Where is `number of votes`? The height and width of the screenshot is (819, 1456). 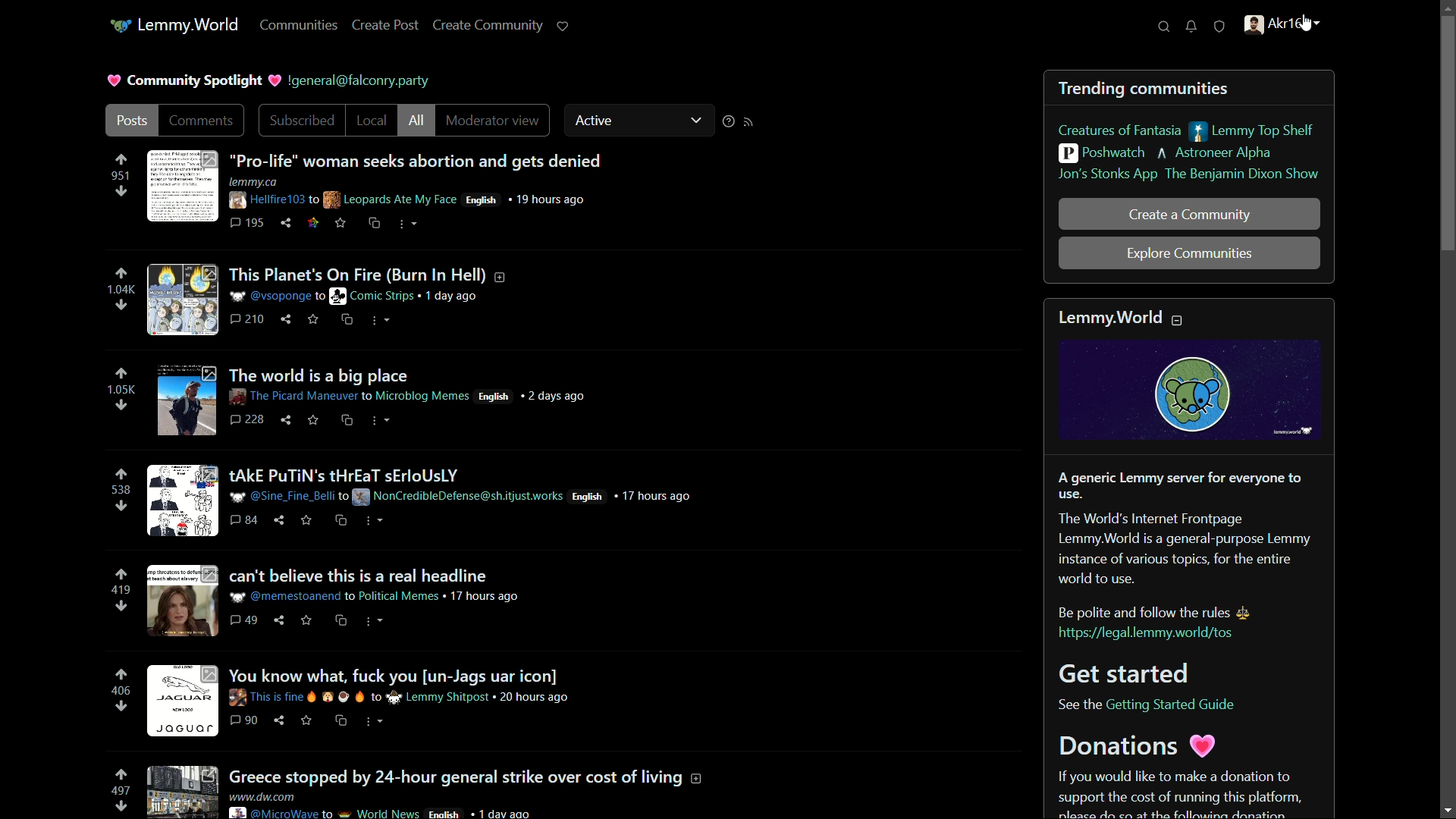
number of votes is located at coordinates (121, 290).